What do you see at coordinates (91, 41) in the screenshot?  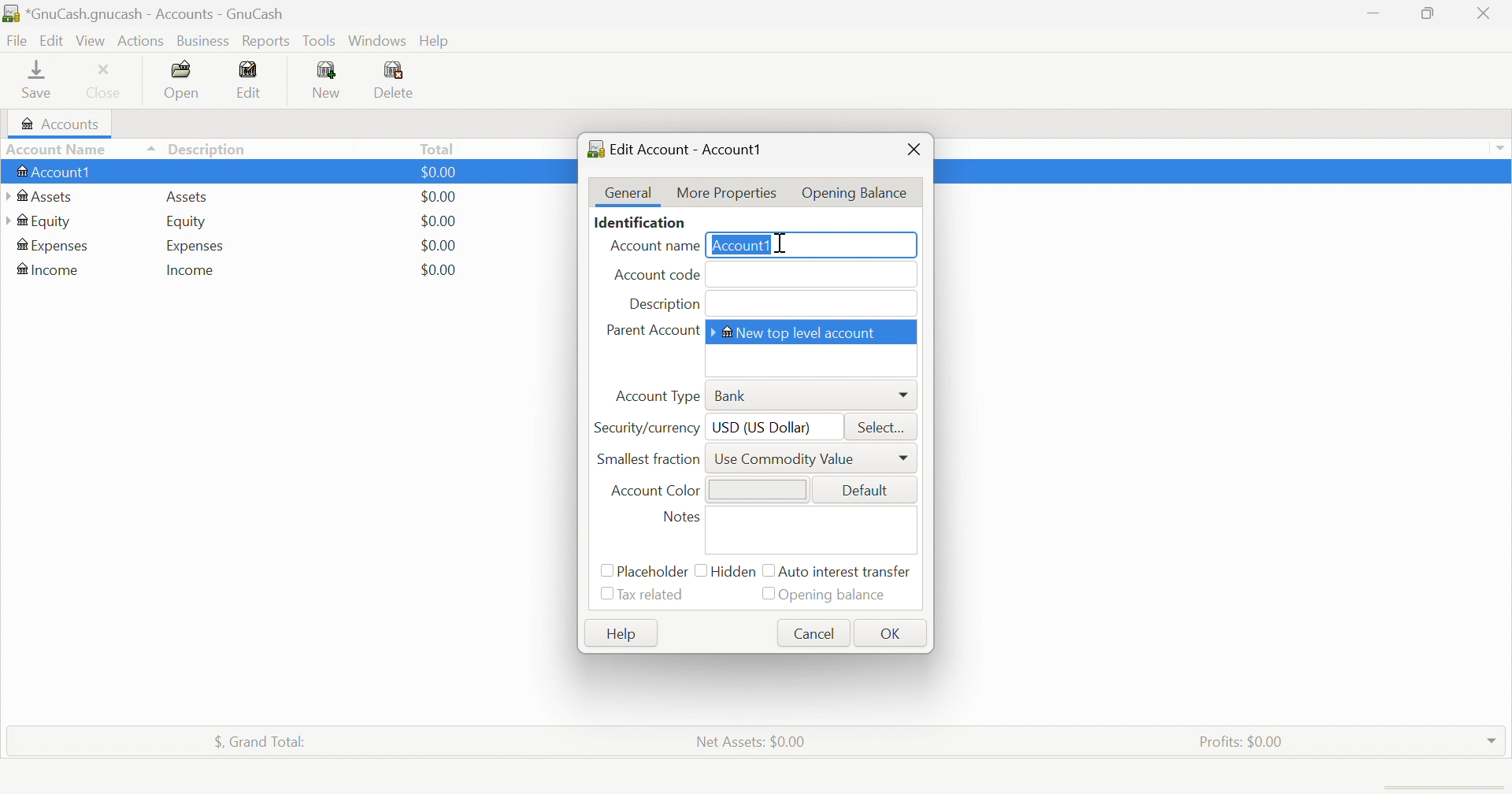 I see `View` at bounding box center [91, 41].